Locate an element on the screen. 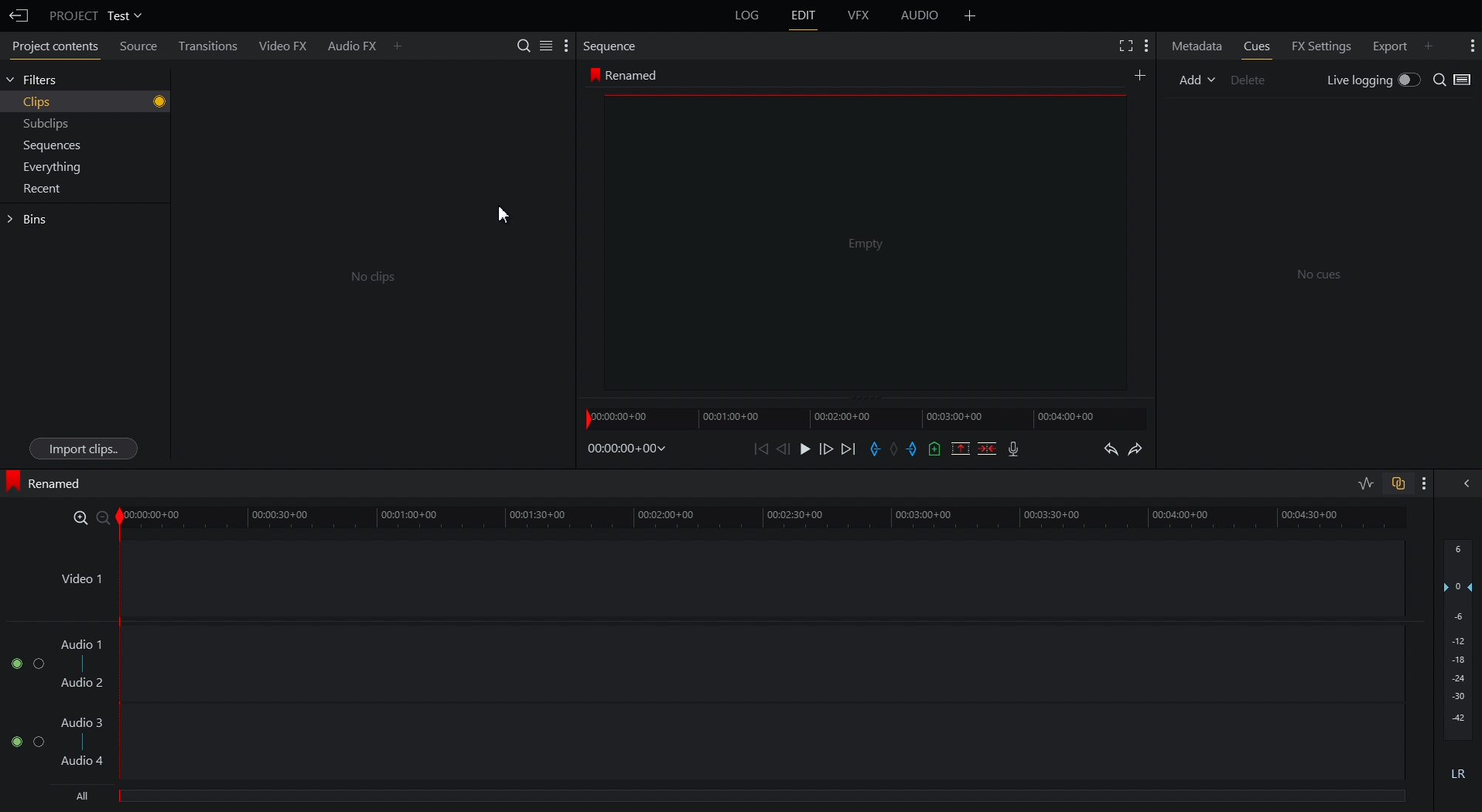 The width and height of the screenshot is (1482, 812). Bookmark is located at coordinates (935, 448).